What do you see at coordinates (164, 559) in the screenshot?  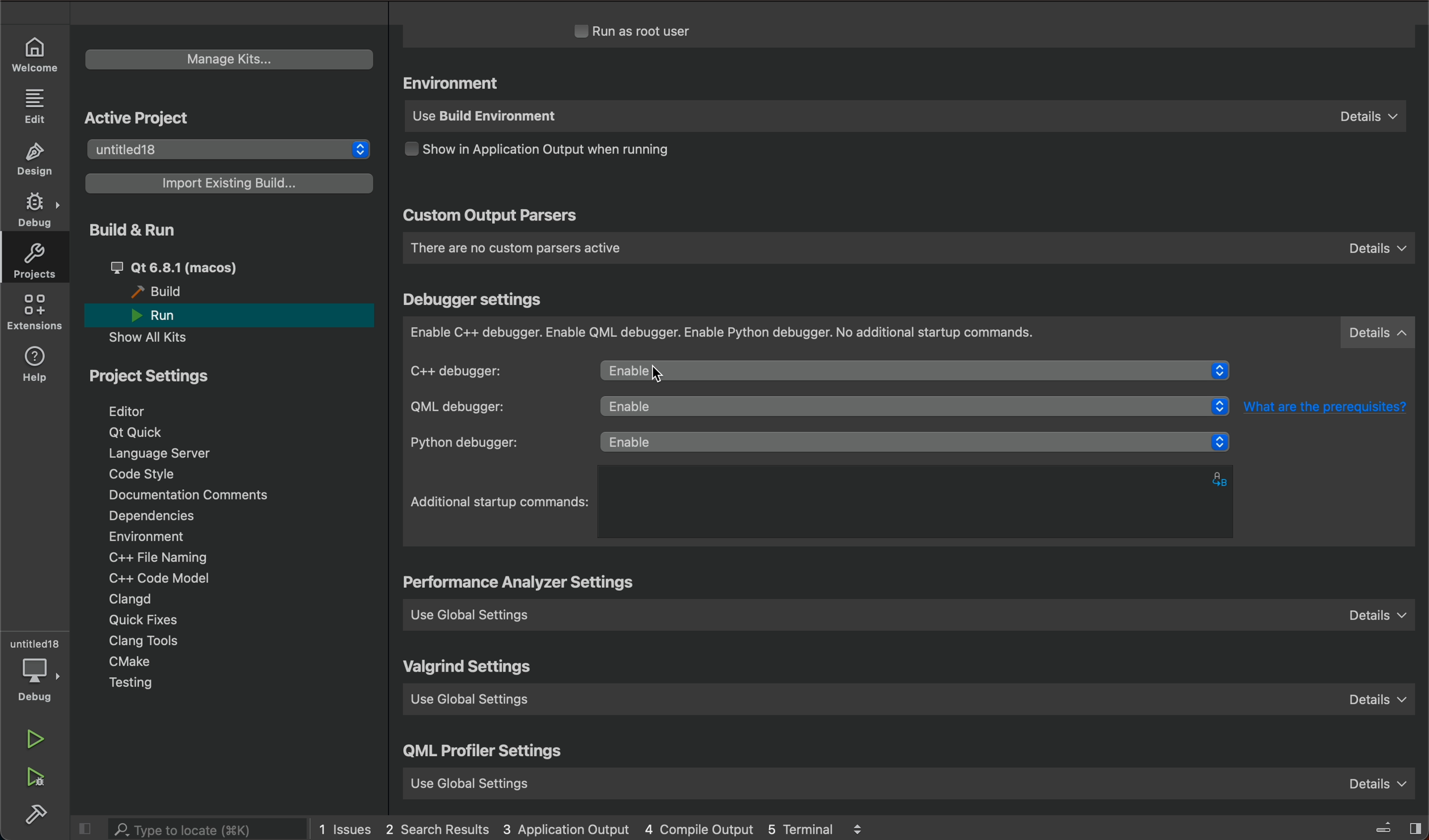 I see `file naming` at bounding box center [164, 559].